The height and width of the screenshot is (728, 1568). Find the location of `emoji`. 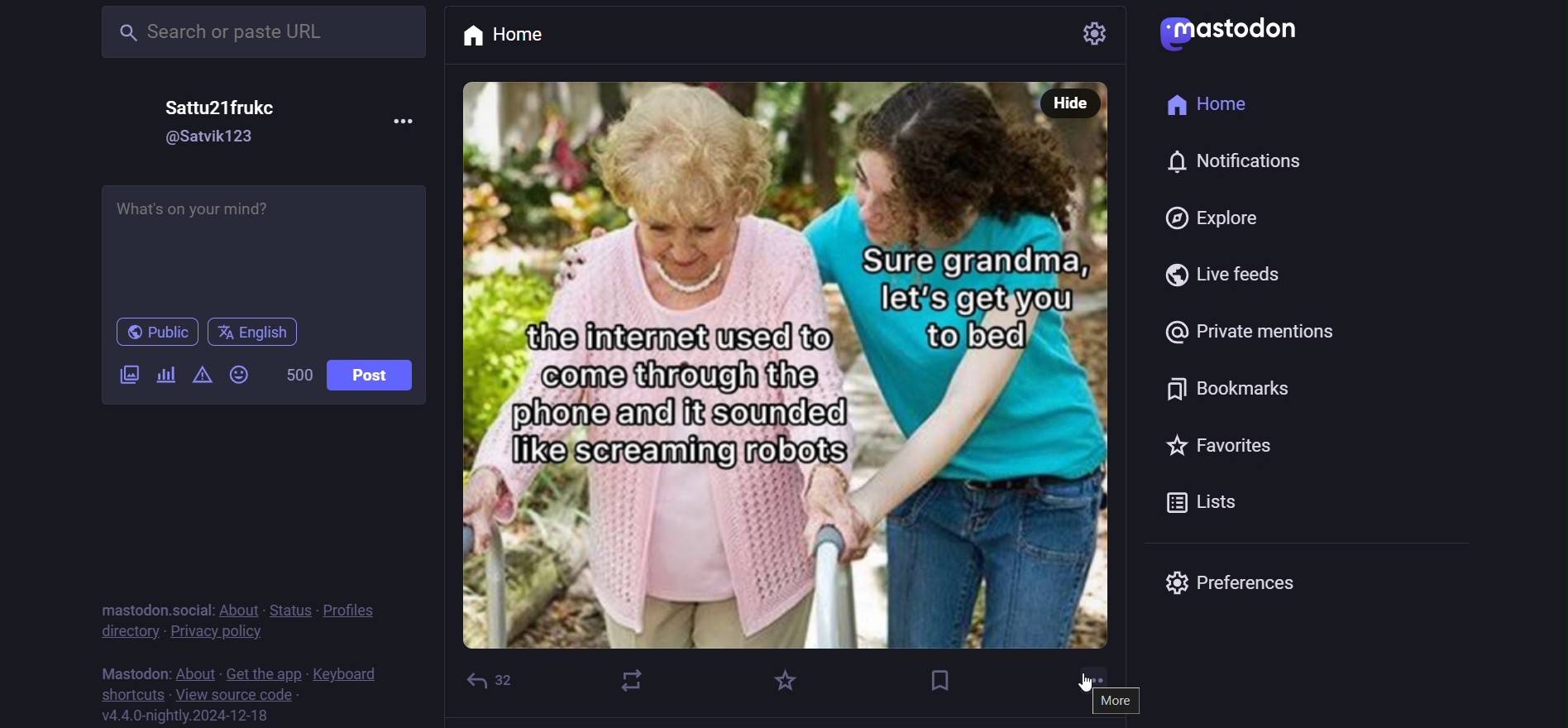

emoji is located at coordinates (238, 372).